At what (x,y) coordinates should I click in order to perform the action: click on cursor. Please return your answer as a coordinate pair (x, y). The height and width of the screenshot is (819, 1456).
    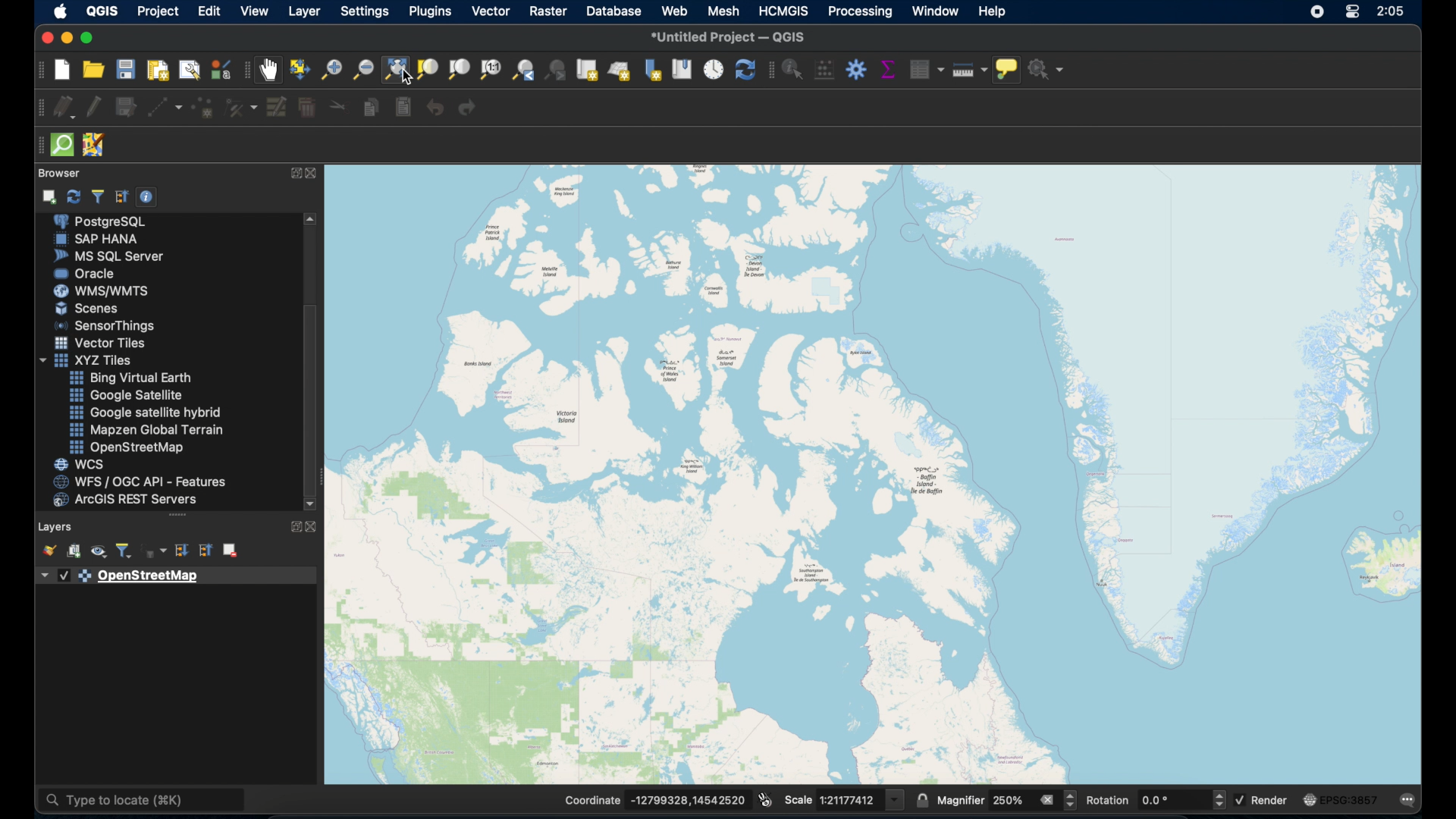
    Looking at the image, I should click on (409, 80).